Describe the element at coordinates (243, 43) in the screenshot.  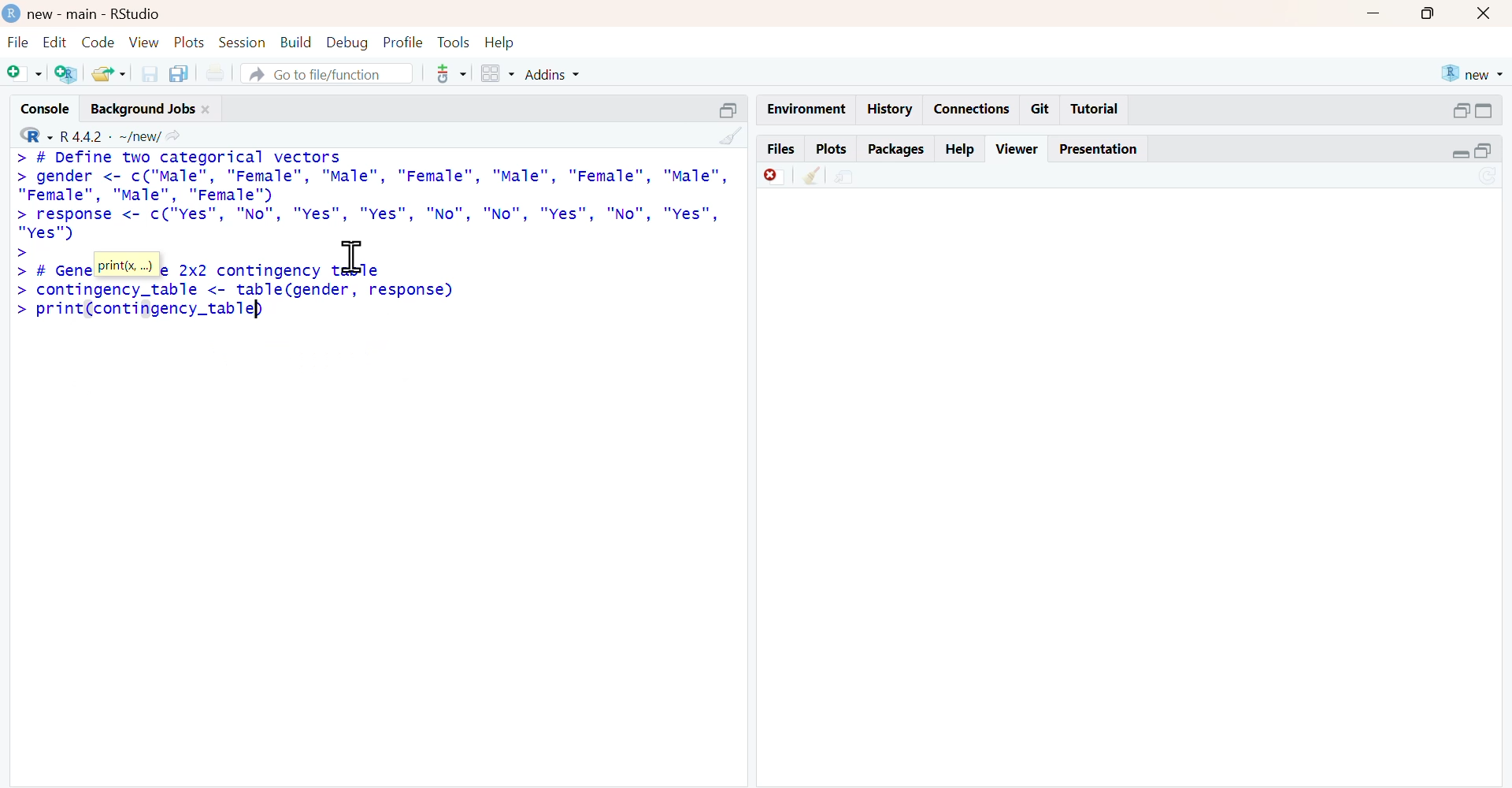
I see `session` at that location.